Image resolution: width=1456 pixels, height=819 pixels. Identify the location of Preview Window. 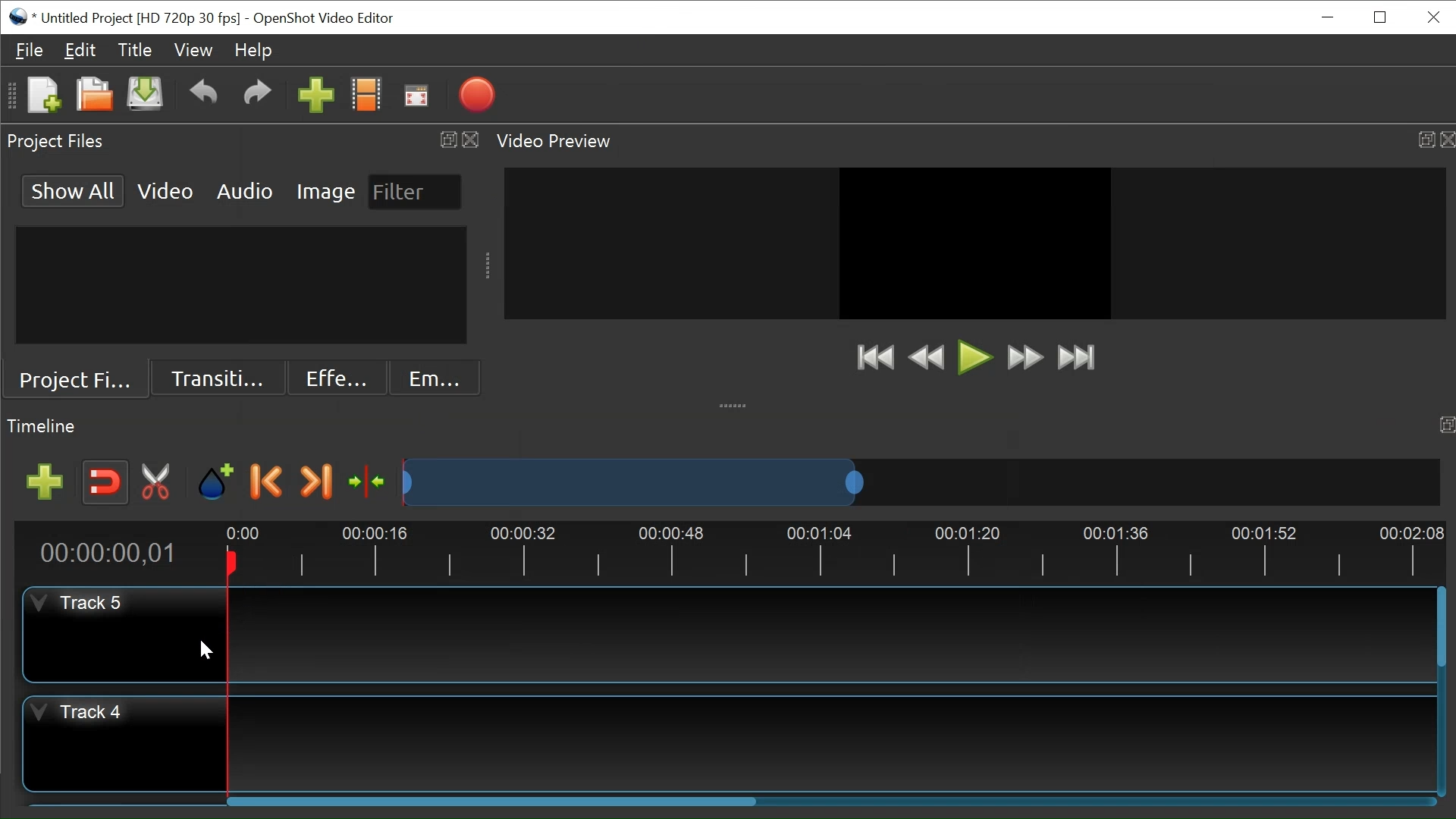
(976, 243).